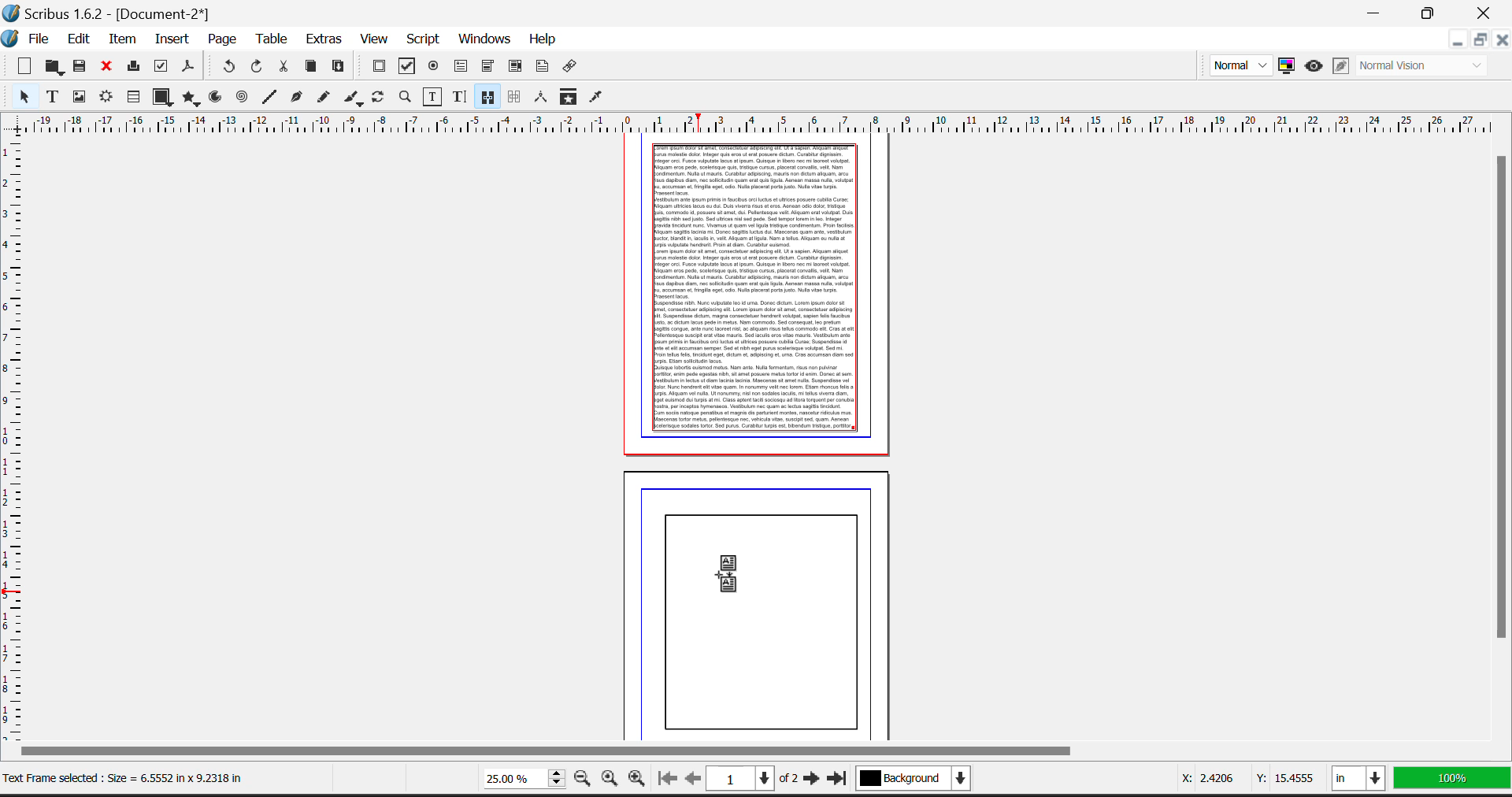 Image resolution: width=1512 pixels, height=797 pixels. What do you see at coordinates (1289, 67) in the screenshot?
I see `Toggle Color Management` at bounding box center [1289, 67].